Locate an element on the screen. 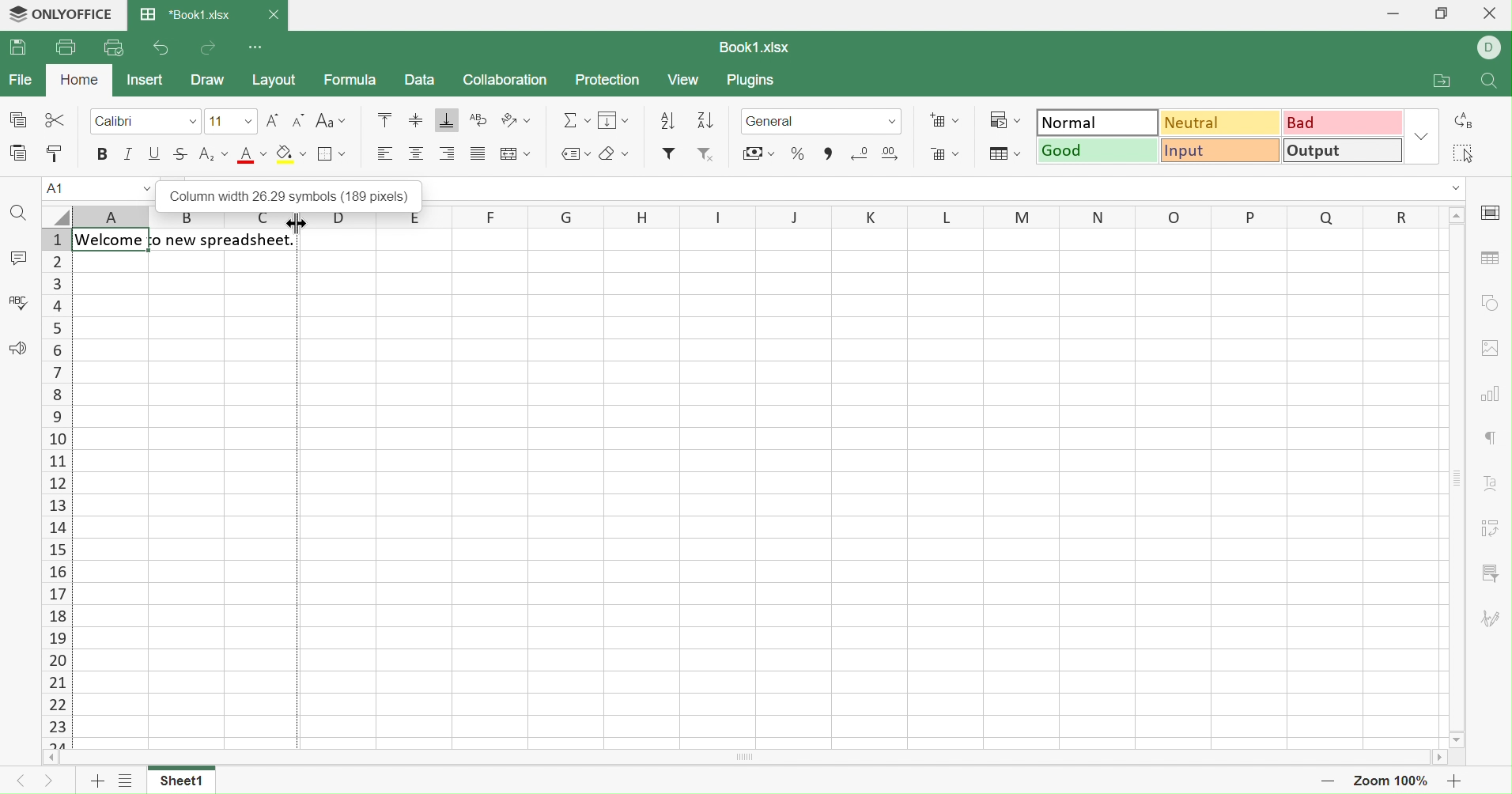 The width and height of the screenshot is (1512, 794). Summation is located at coordinates (576, 118).